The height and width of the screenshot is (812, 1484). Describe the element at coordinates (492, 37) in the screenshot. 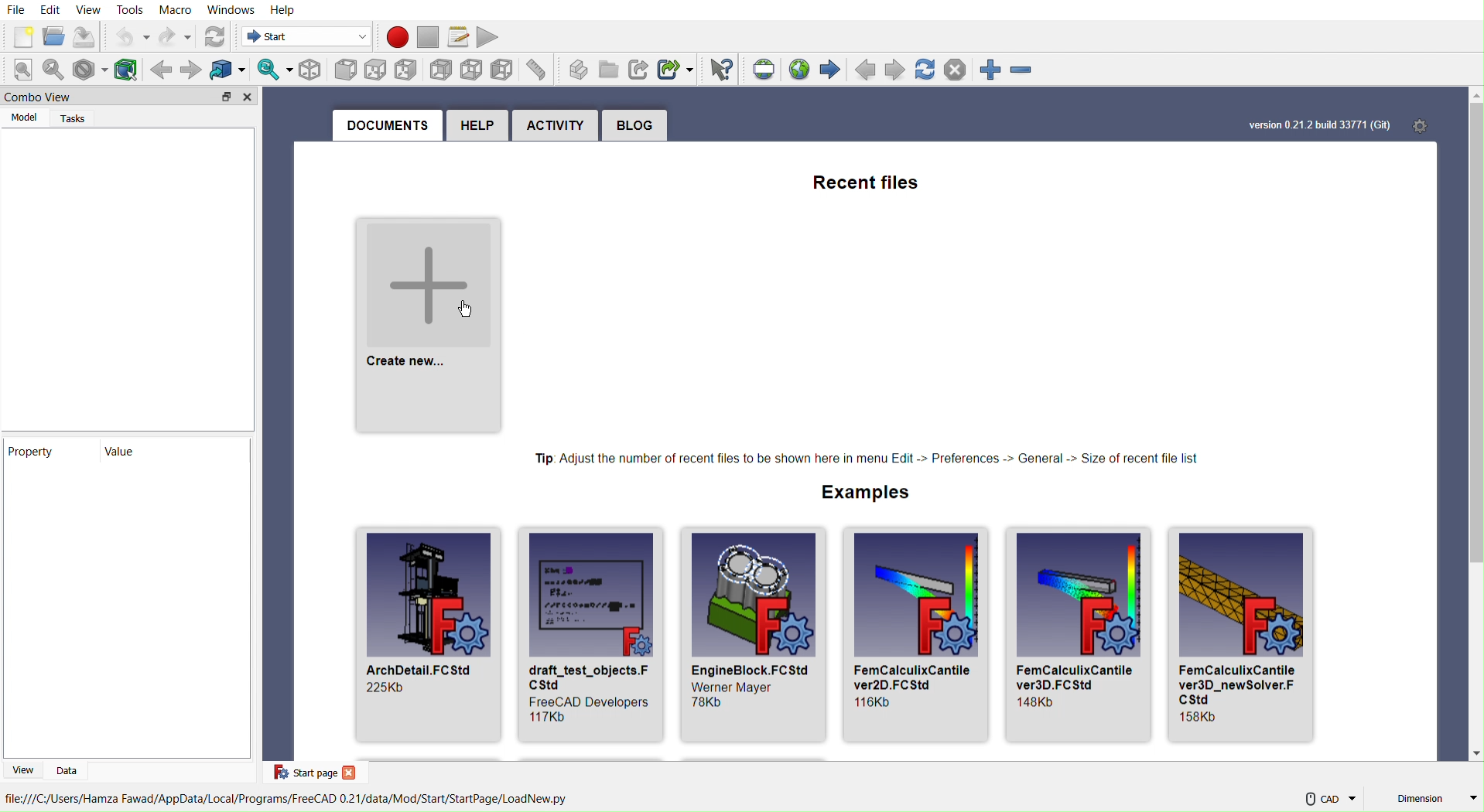

I see `Execute the macro in the editor` at that location.